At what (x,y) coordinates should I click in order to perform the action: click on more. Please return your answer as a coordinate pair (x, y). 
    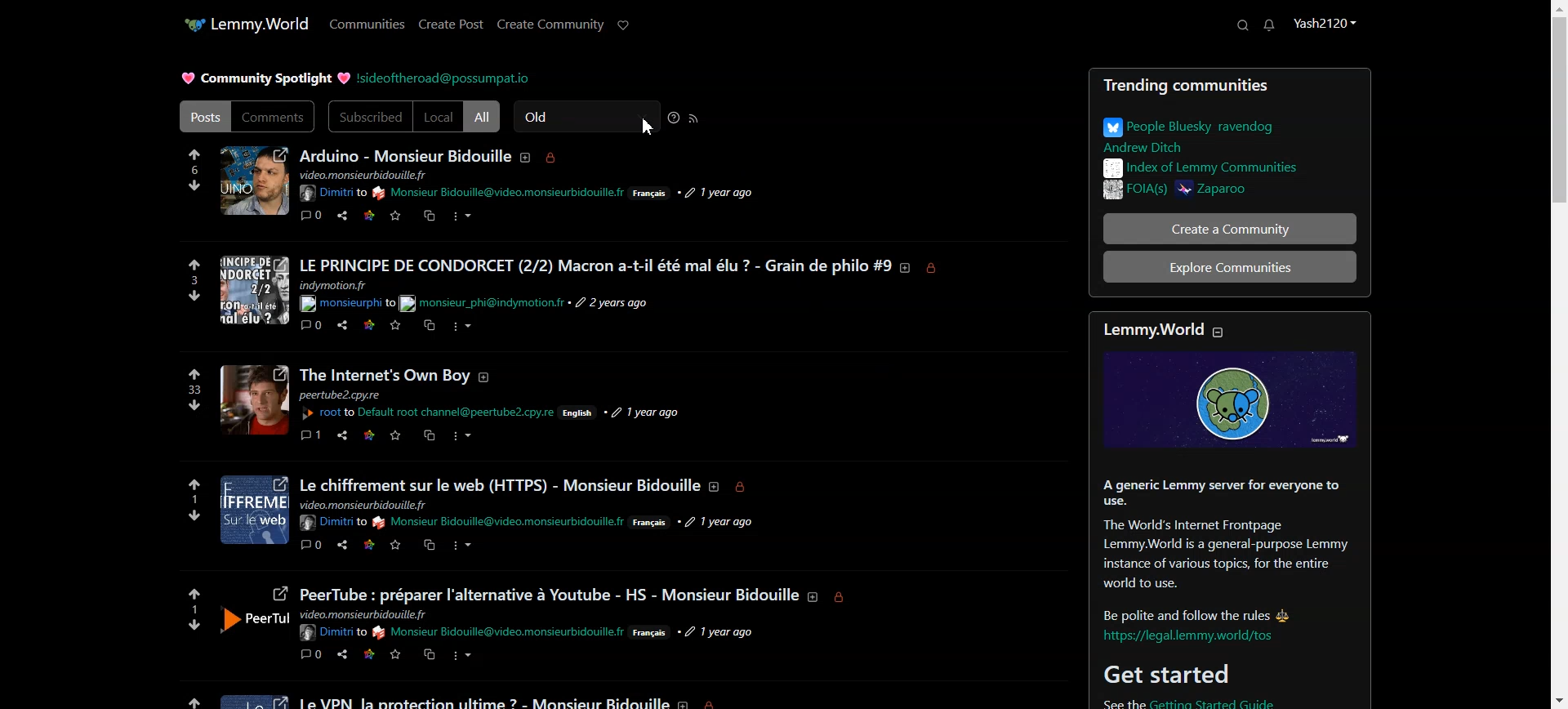
    Looking at the image, I should click on (463, 547).